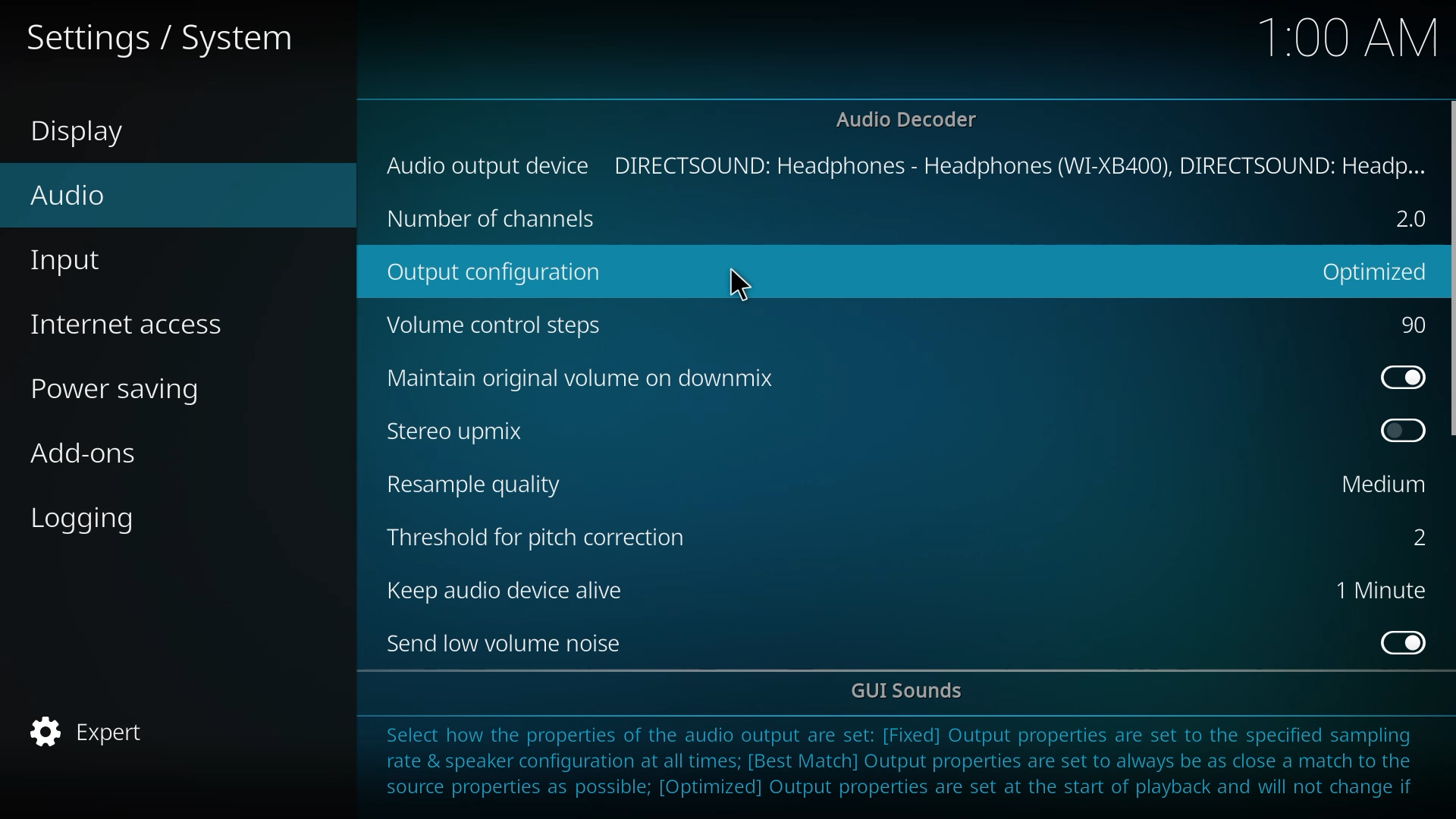  What do you see at coordinates (906, 764) in the screenshot?
I see `info` at bounding box center [906, 764].